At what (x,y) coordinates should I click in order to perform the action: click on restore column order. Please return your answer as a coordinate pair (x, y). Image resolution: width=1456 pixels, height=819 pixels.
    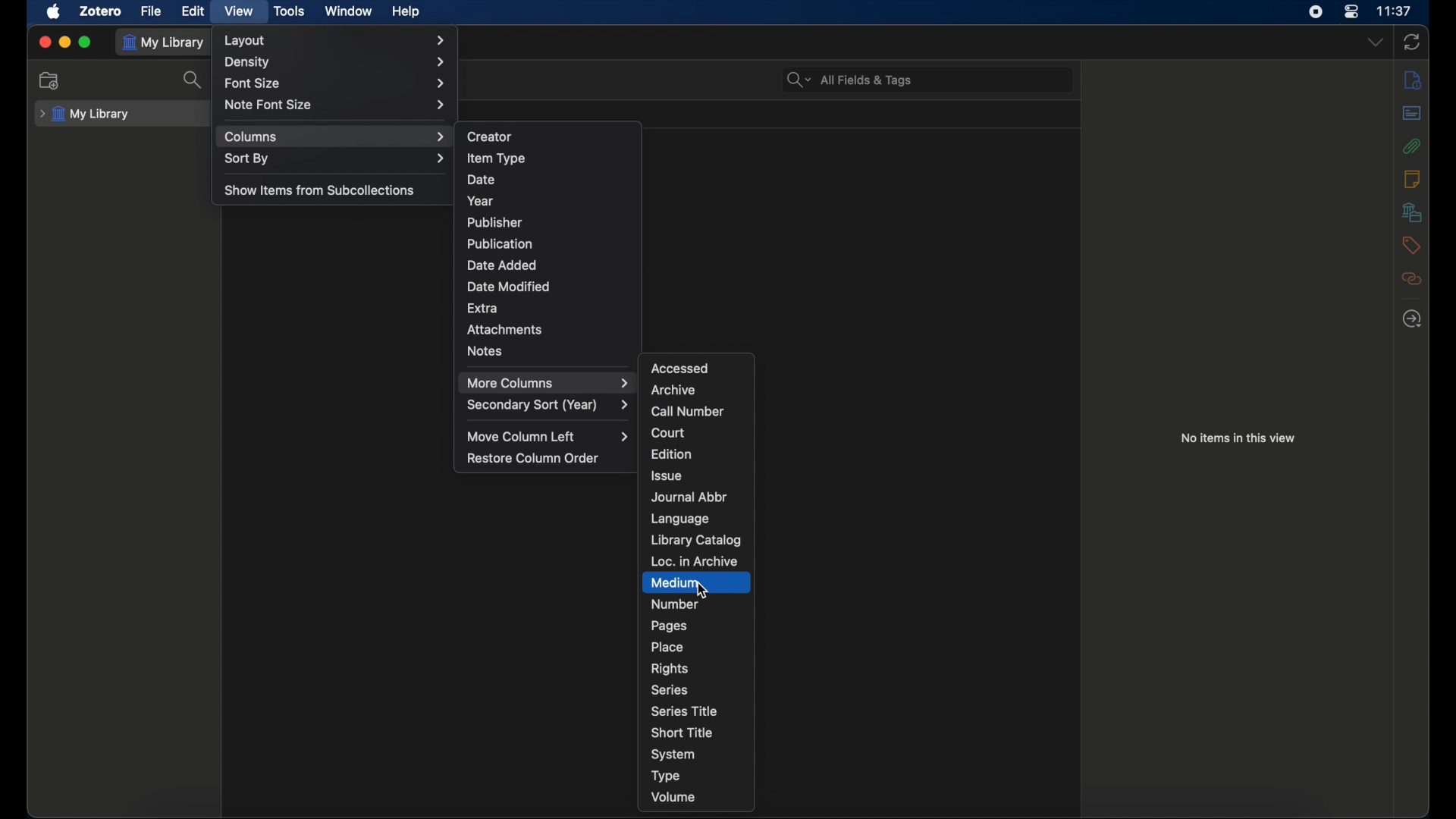
    Looking at the image, I should click on (533, 458).